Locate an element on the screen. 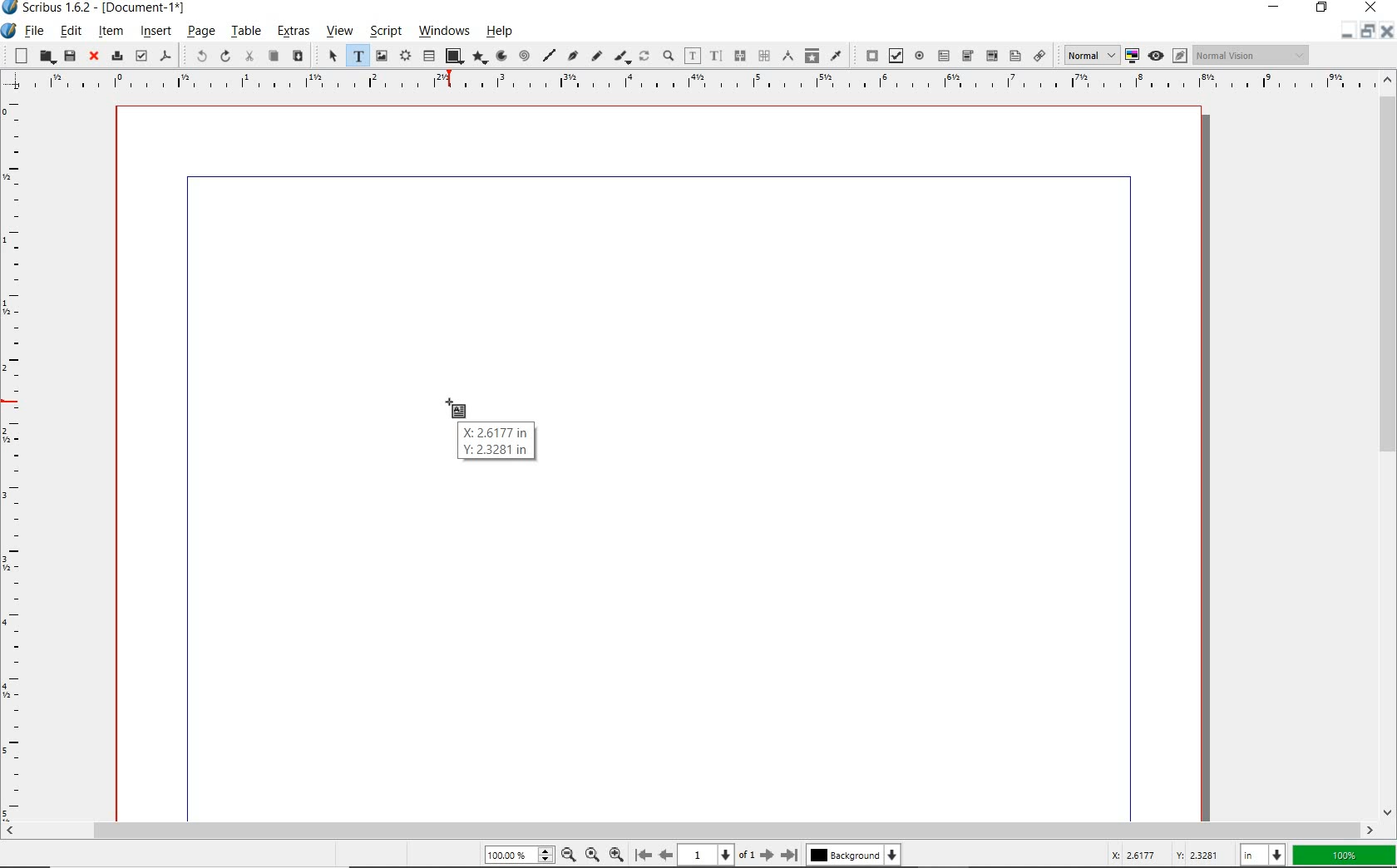 Image resolution: width=1397 pixels, height=868 pixels. open is located at coordinates (45, 57).